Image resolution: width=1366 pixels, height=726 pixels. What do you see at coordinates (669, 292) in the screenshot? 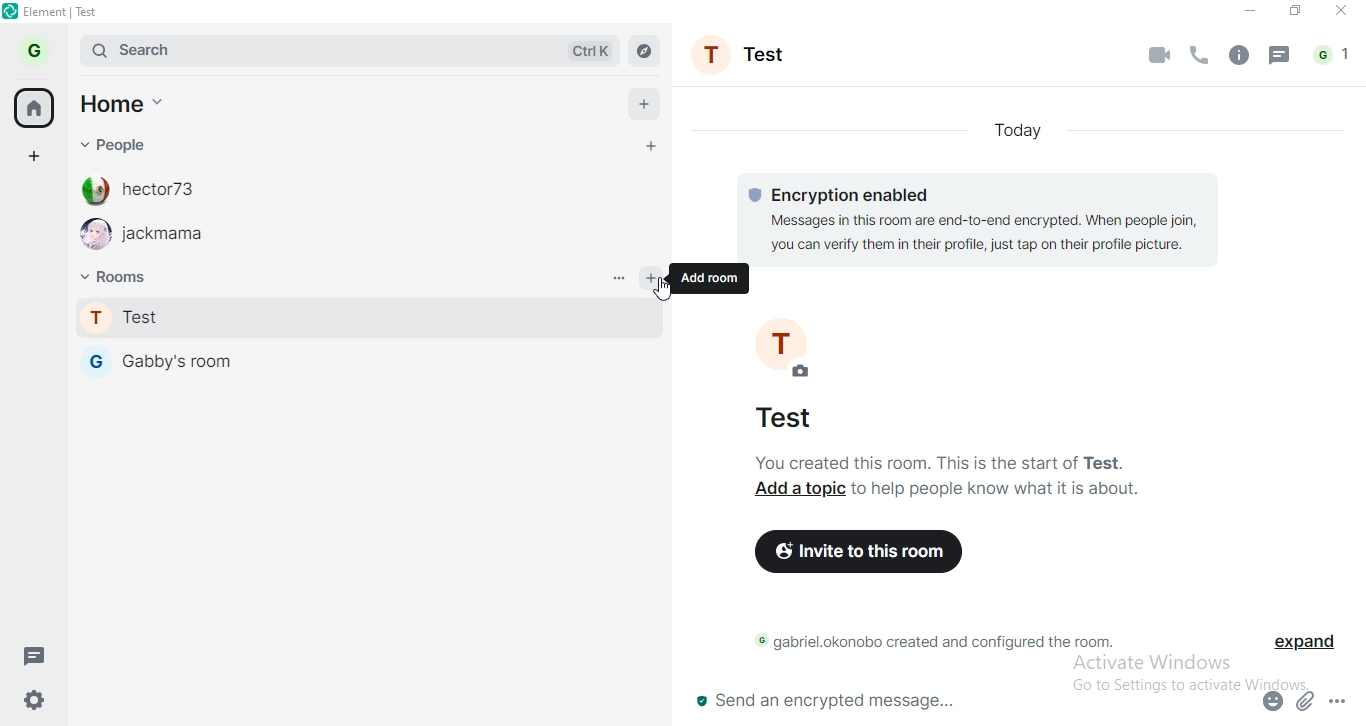
I see `cursor` at bounding box center [669, 292].